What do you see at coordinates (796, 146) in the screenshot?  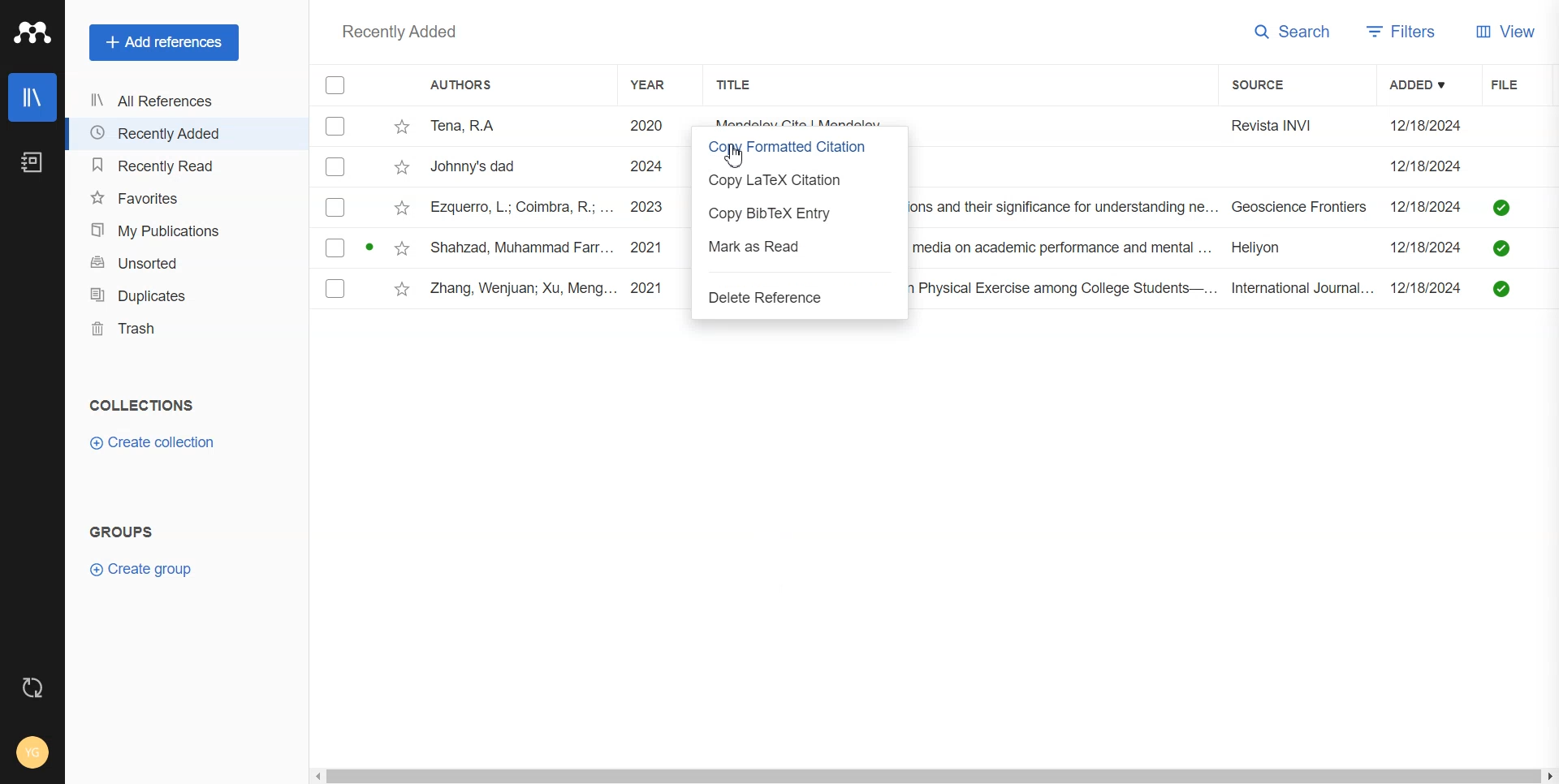 I see `Copy Formatted Citation` at bounding box center [796, 146].